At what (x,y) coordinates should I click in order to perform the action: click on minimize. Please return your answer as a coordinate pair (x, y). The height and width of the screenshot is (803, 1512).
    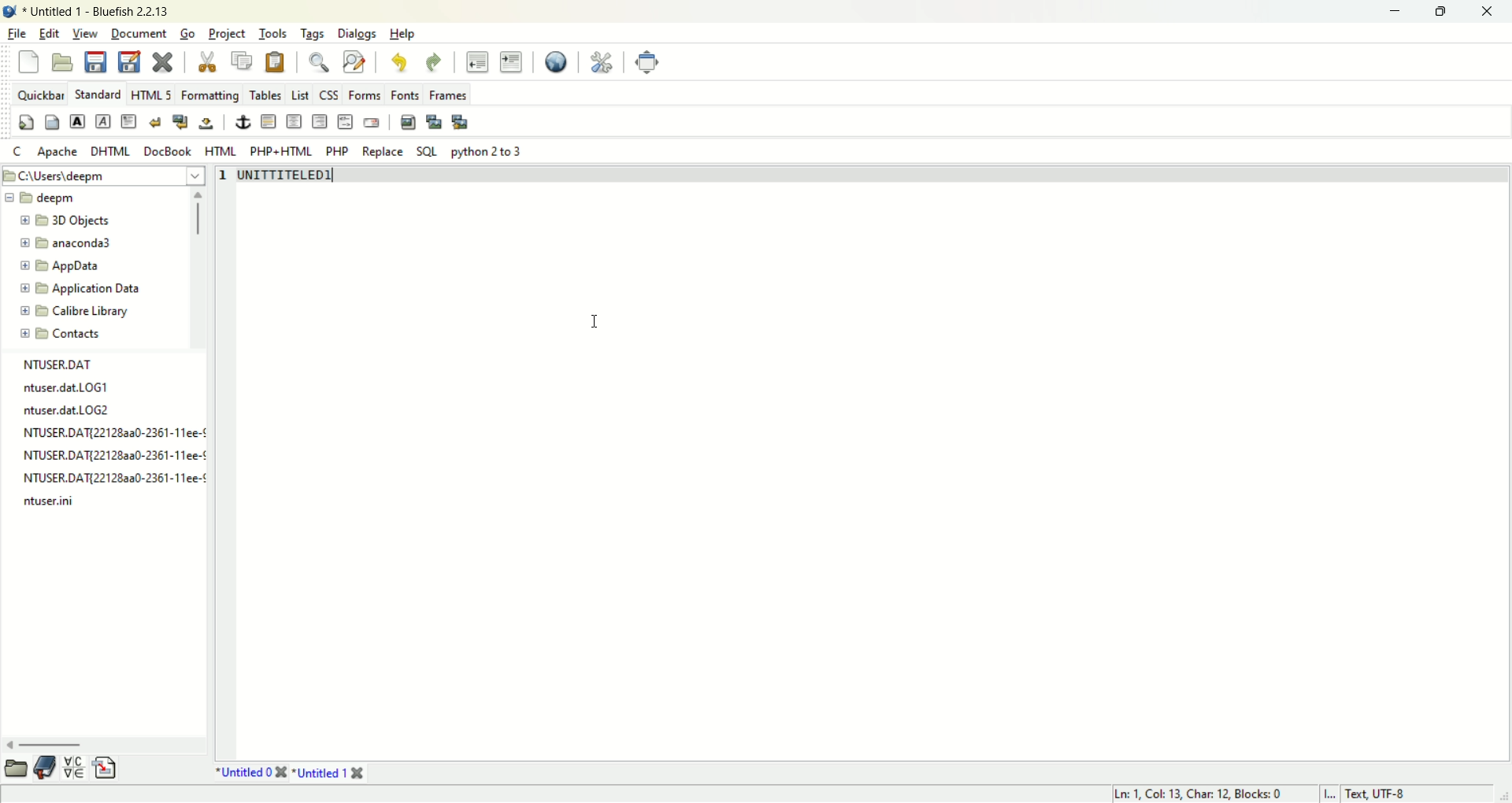
    Looking at the image, I should click on (1392, 12).